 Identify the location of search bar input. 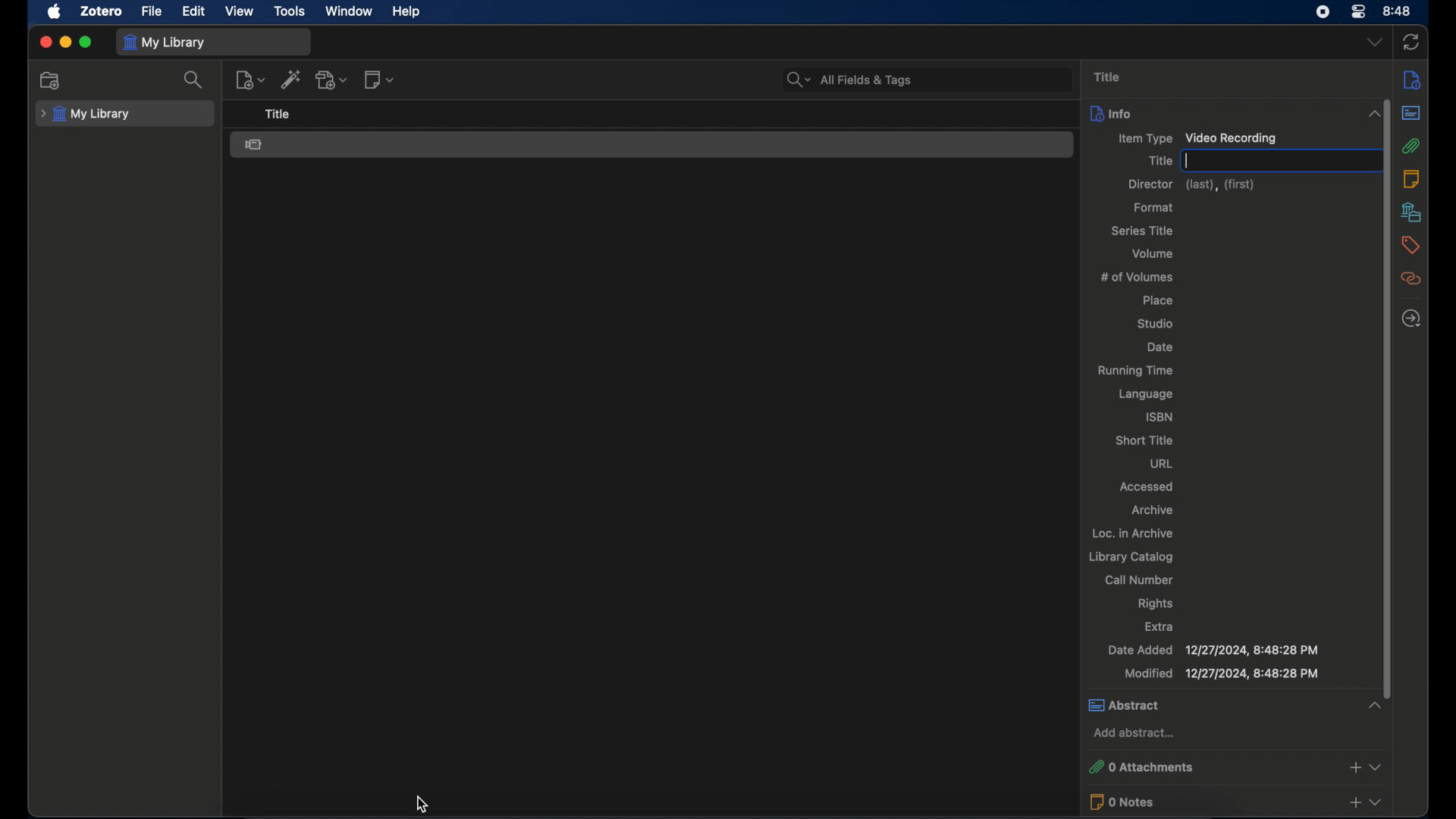
(942, 80).